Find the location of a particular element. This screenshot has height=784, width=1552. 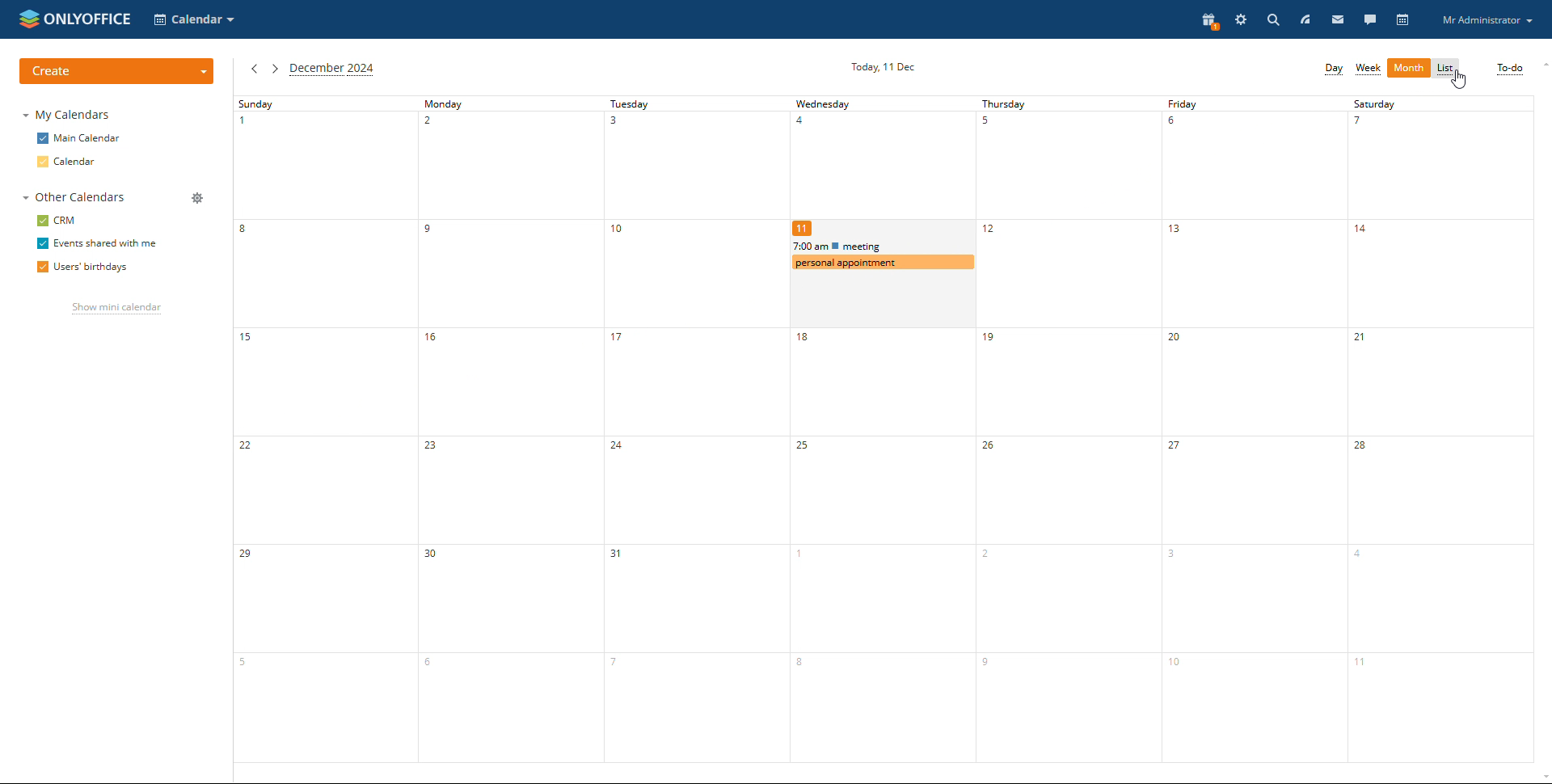

cursor is located at coordinates (1459, 80).